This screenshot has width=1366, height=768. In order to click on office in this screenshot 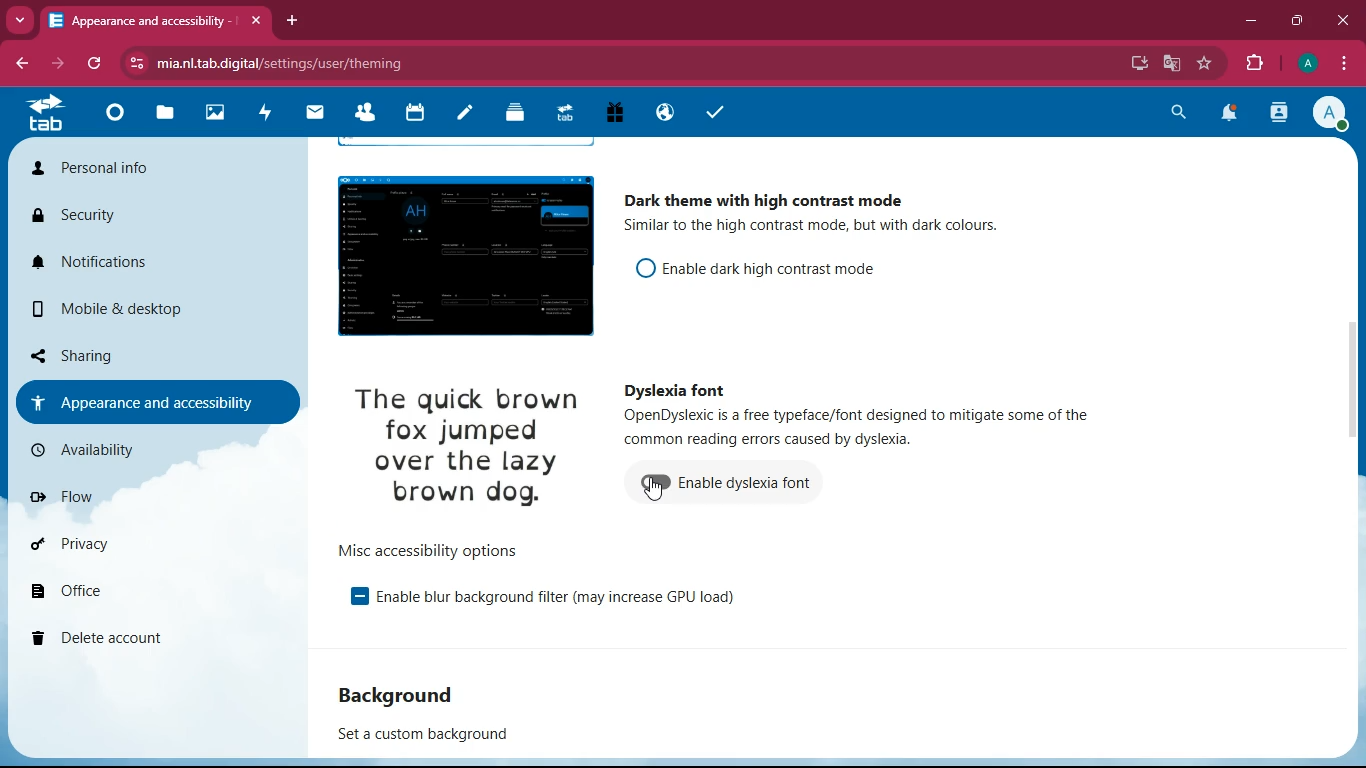, I will do `click(137, 585)`.